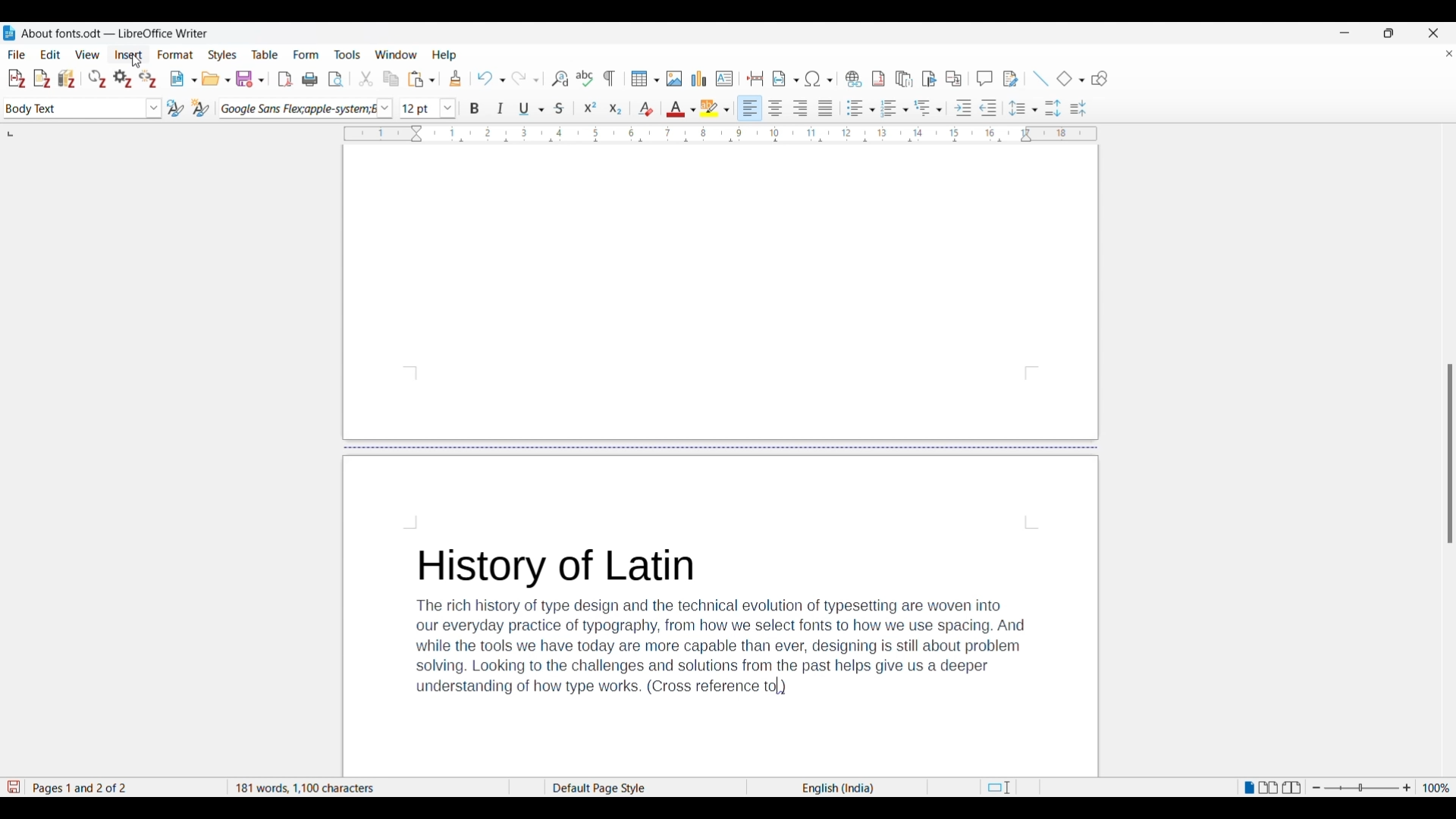 The image size is (1456, 819). What do you see at coordinates (501, 108) in the screenshot?
I see `Italics` at bounding box center [501, 108].